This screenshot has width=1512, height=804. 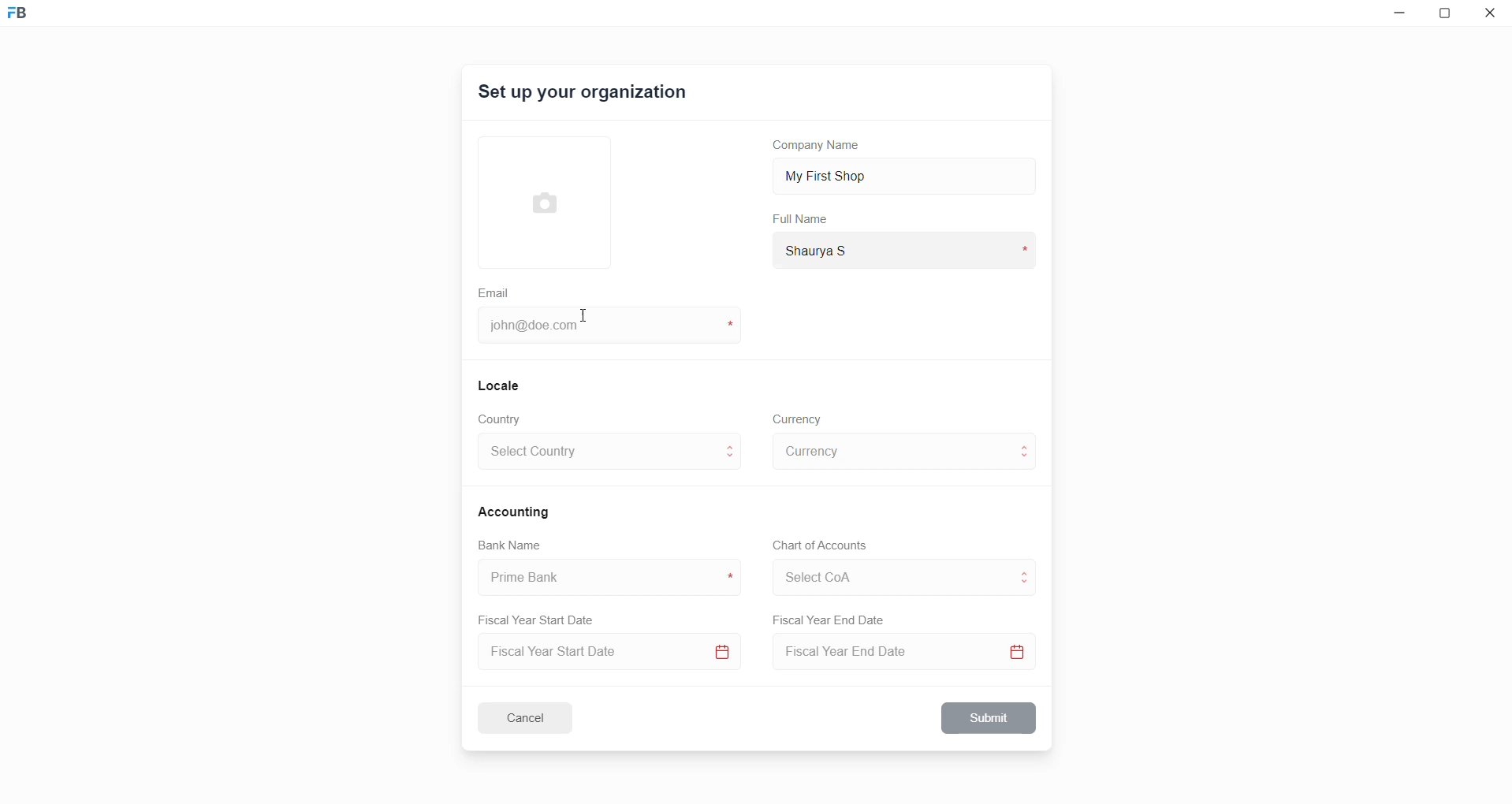 I want to click on Country, so click(x=503, y=419).